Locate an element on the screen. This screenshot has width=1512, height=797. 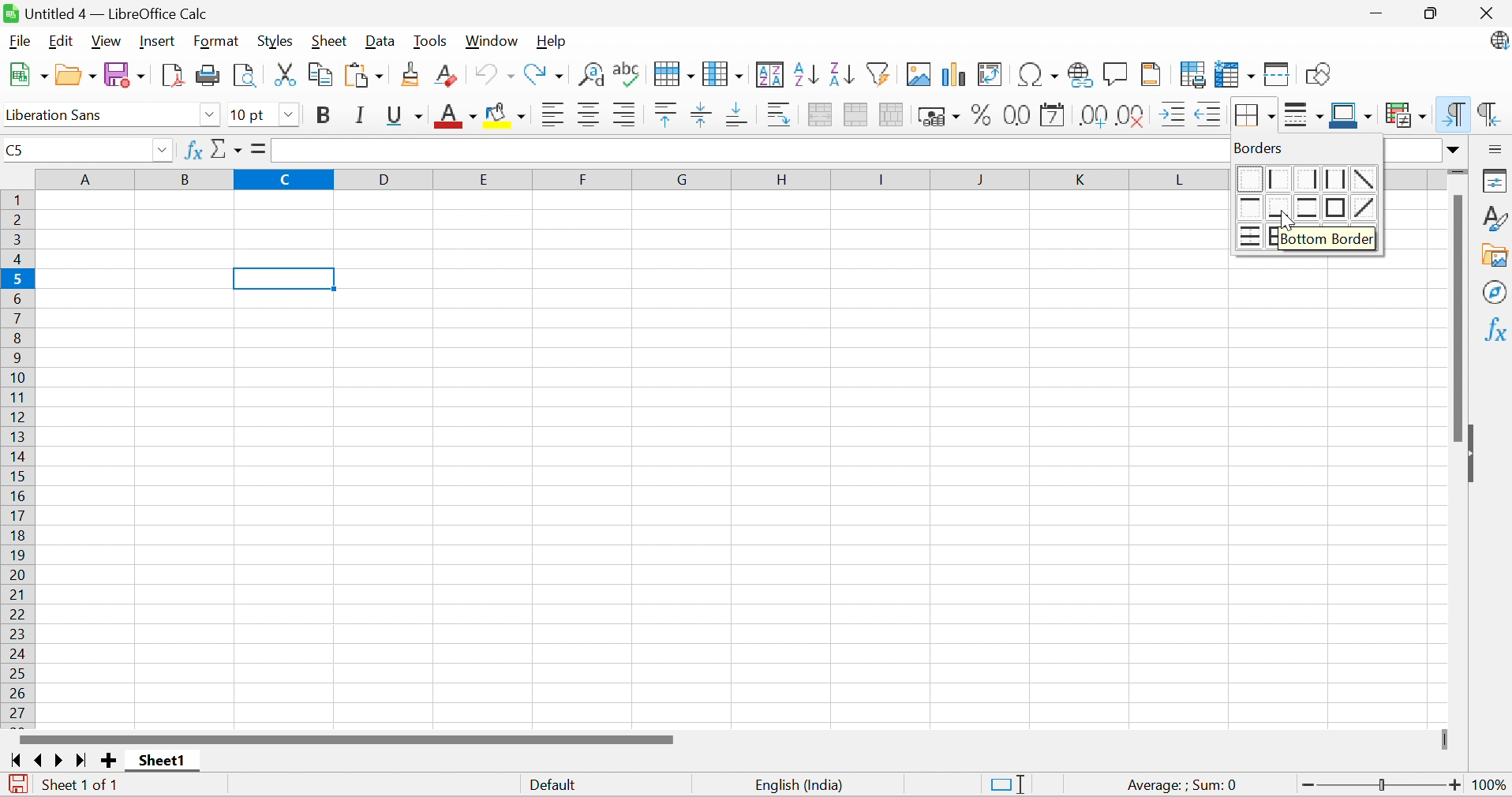
Right border is located at coordinates (1308, 179).